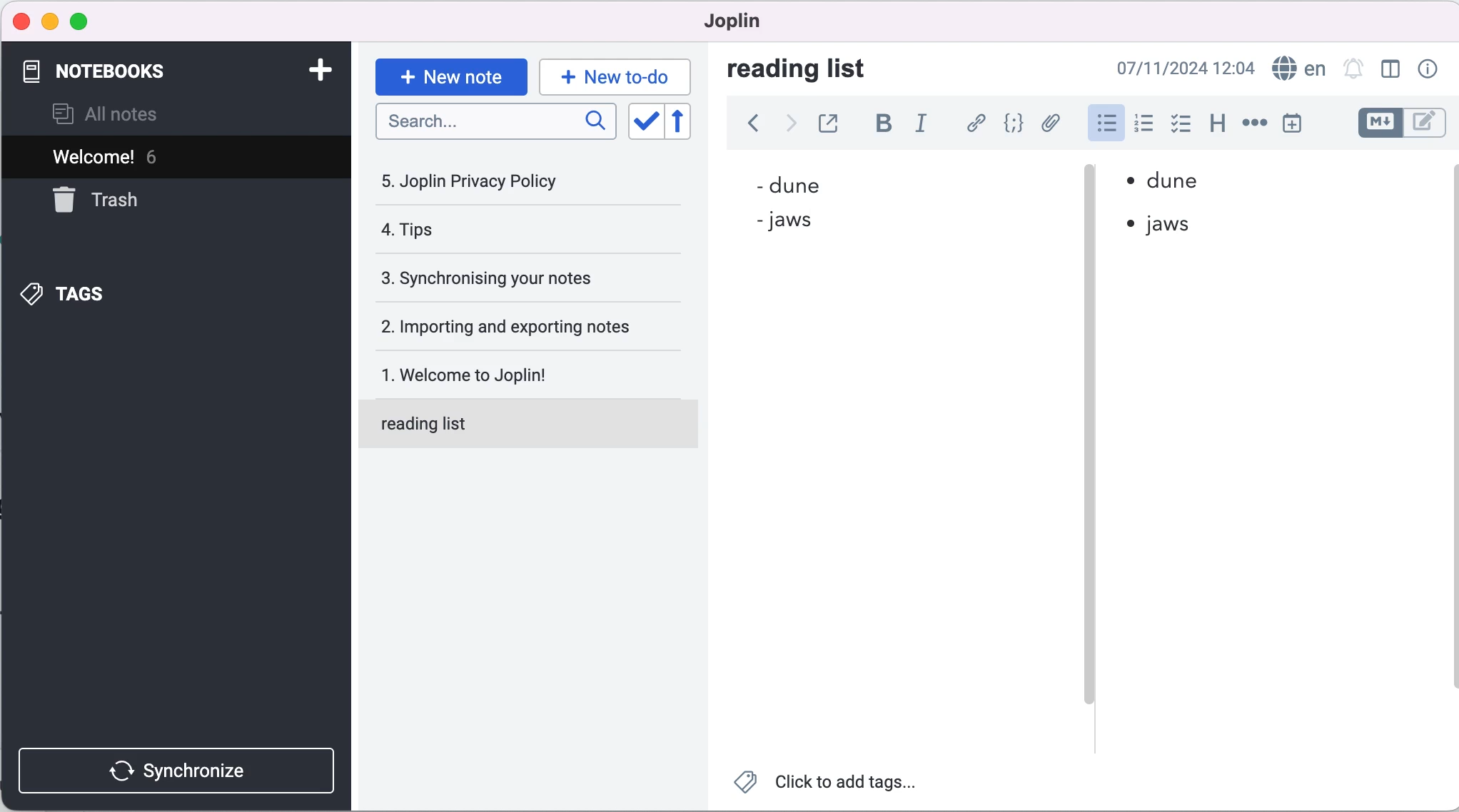 The width and height of the screenshot is (1459, 812). I want to click on italic, so click(924, 123).